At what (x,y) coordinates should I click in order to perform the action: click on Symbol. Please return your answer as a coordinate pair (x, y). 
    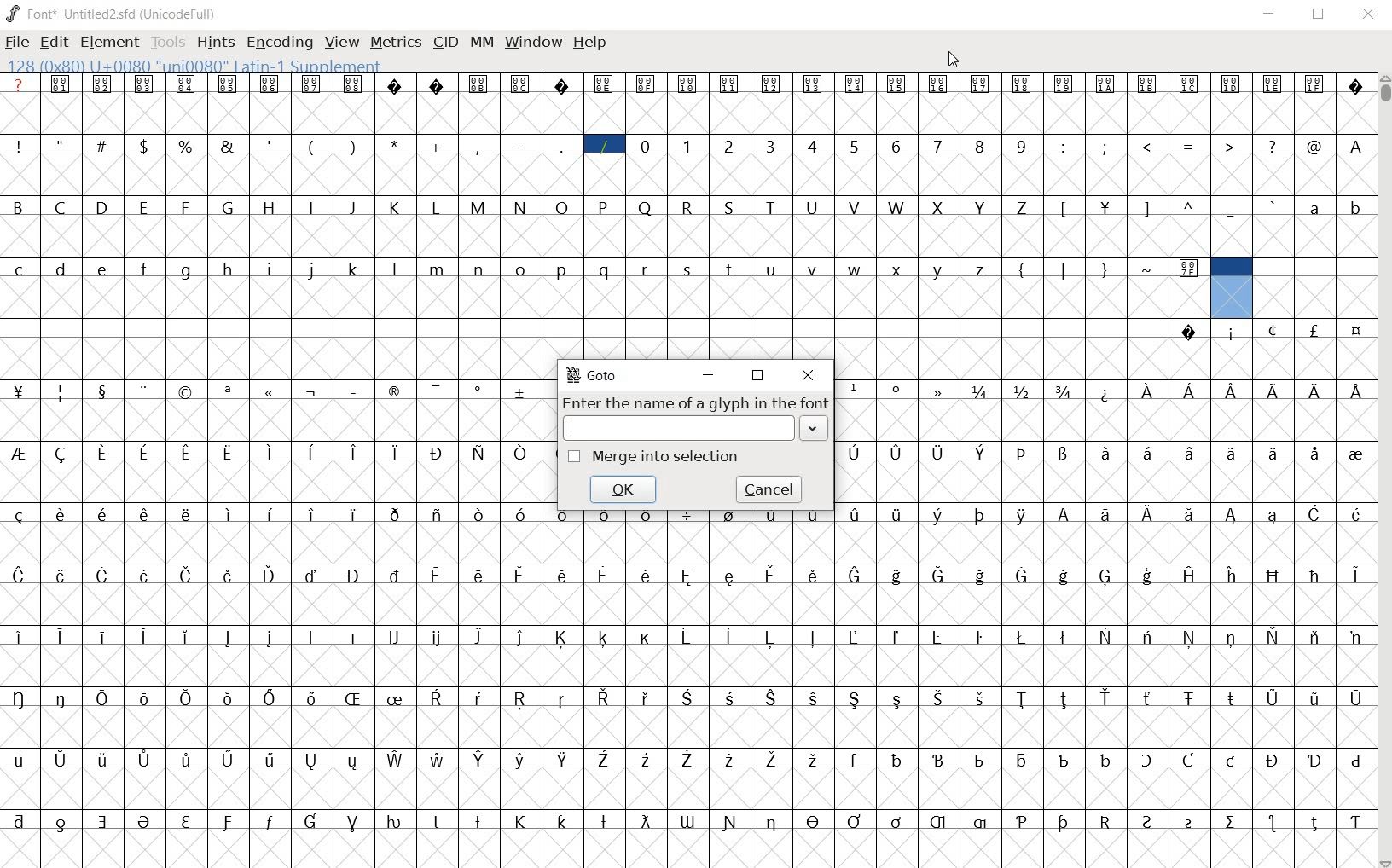
    Looking at the image, I should click on (438, 454).